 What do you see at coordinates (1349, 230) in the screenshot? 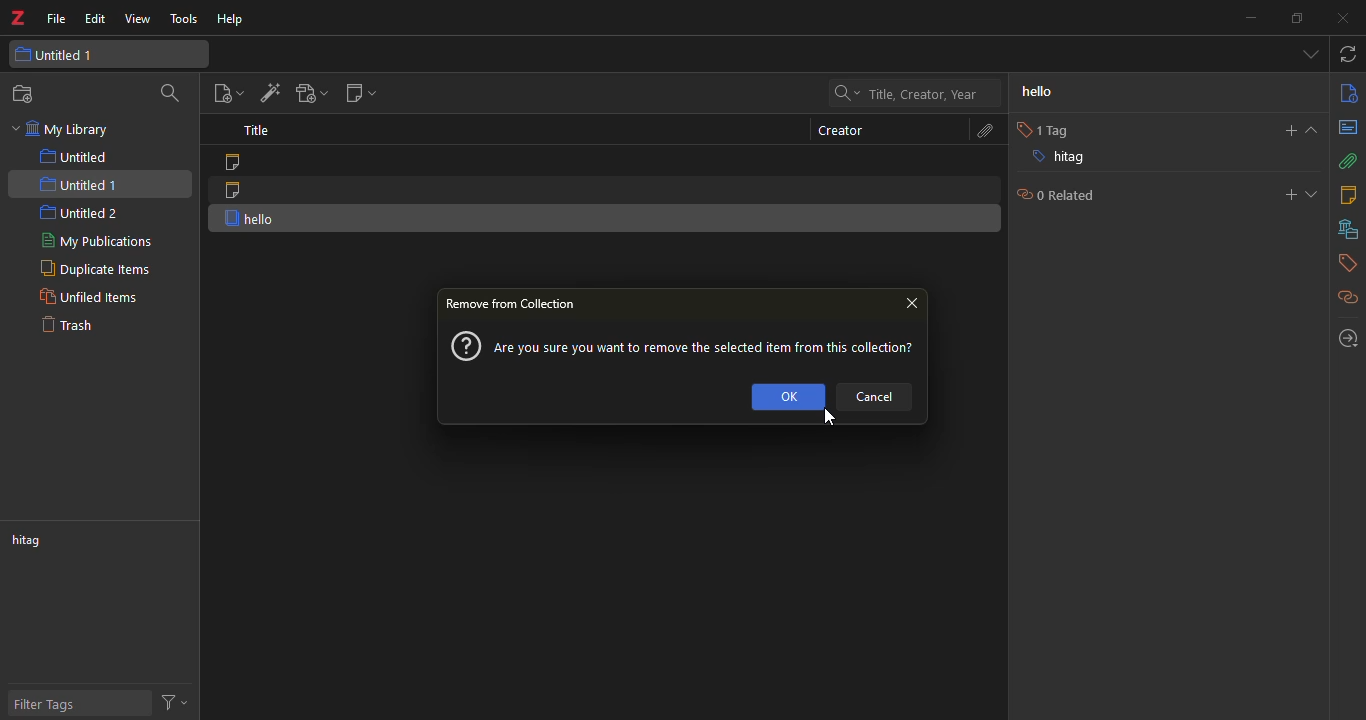
I see `library` at bounding box center [1349, 230].